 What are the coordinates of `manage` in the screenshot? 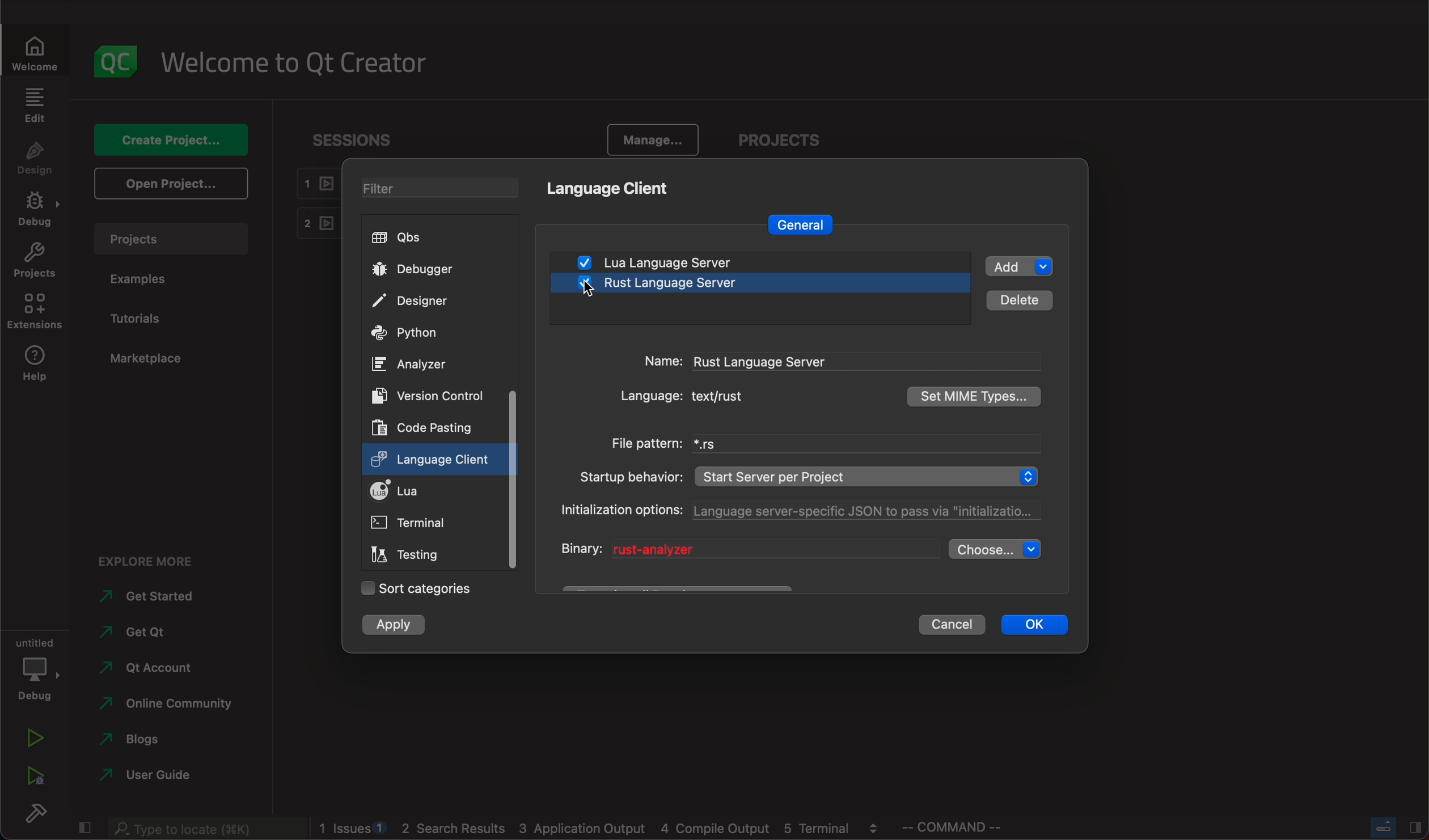 It's located at (652, 140).